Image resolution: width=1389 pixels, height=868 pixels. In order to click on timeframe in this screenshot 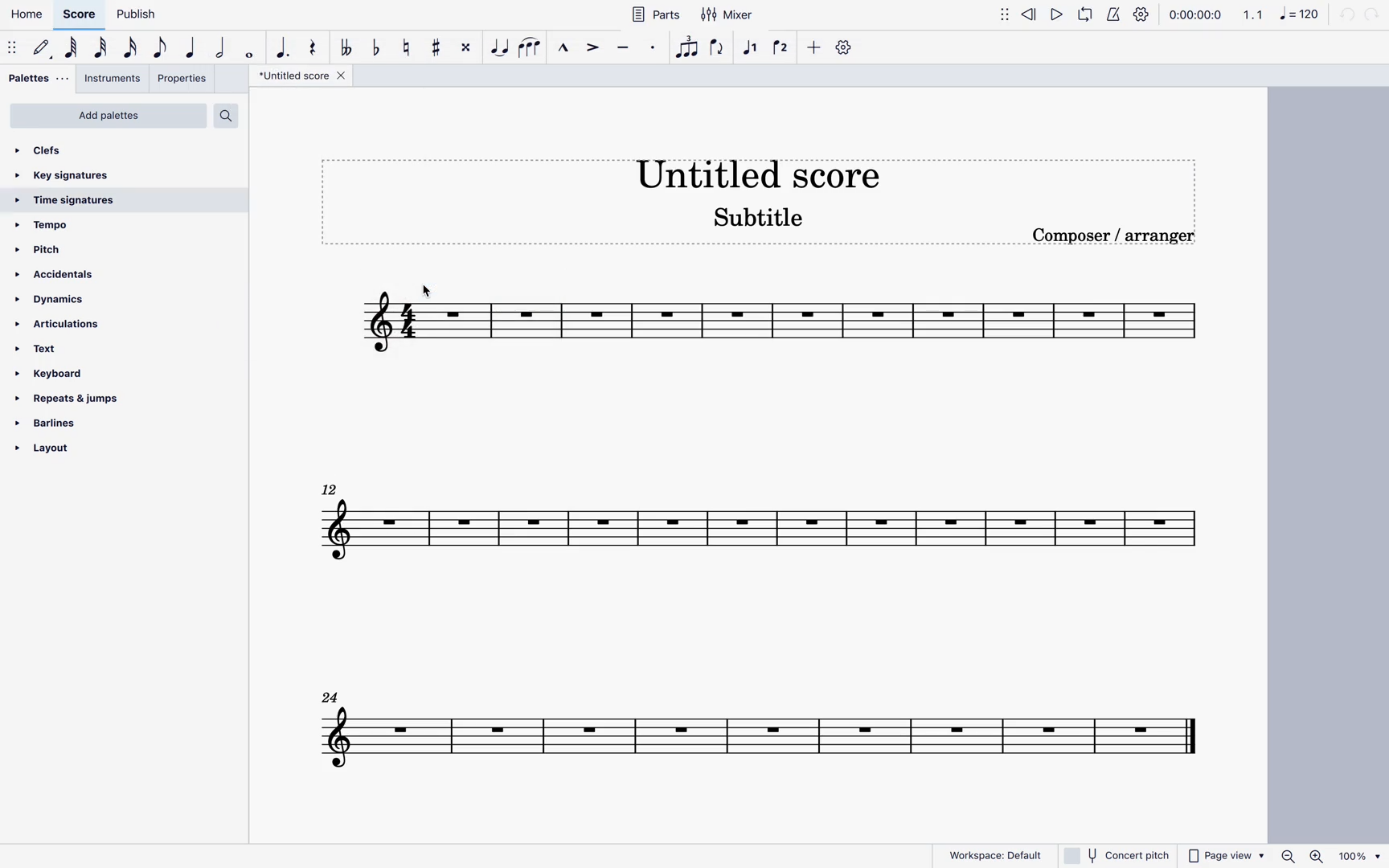, I will do `click(1195, 15)`.